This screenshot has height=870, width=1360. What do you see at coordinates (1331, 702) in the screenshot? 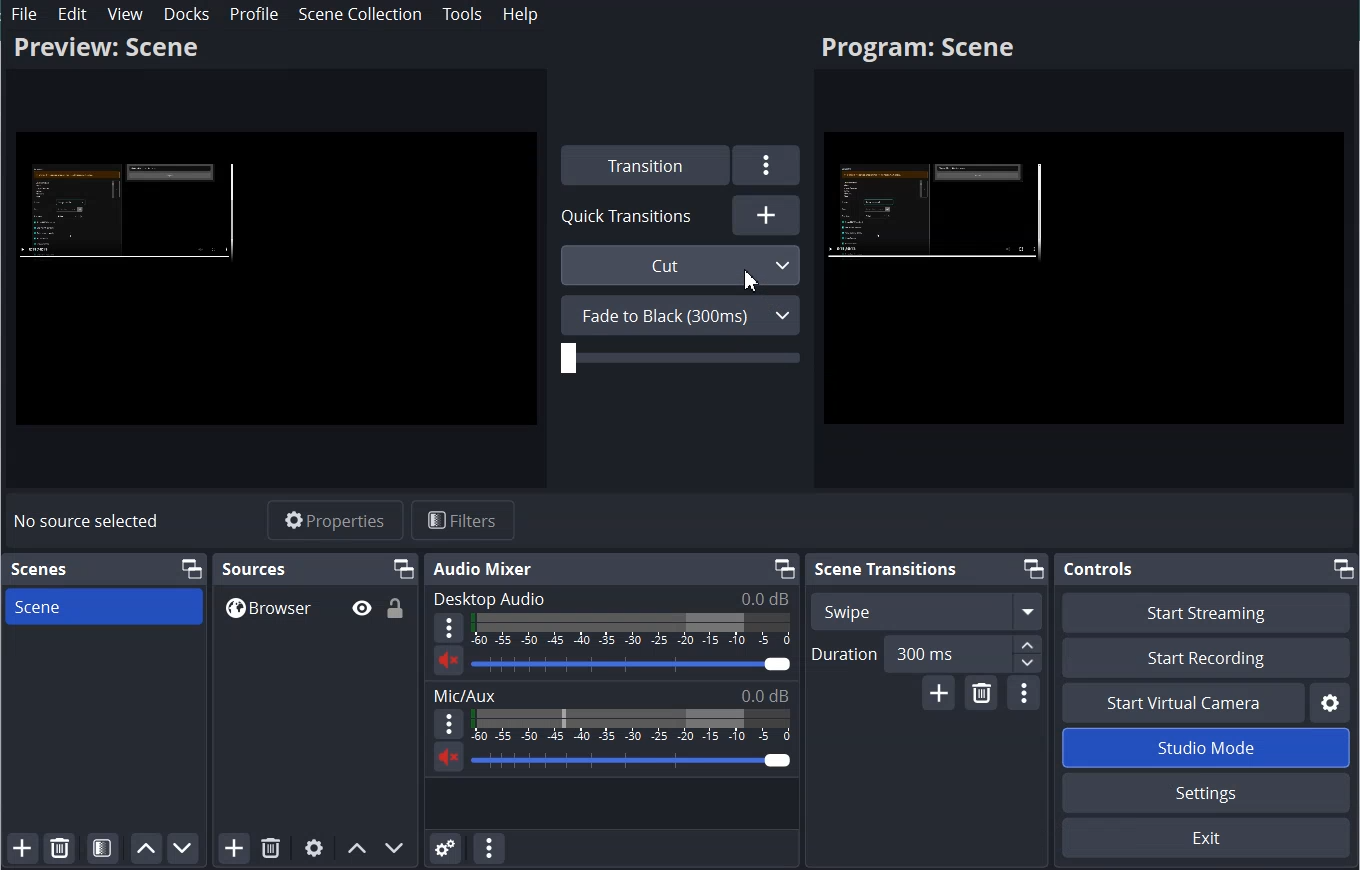
I see `Settings` at bounding box center [1331, 702].